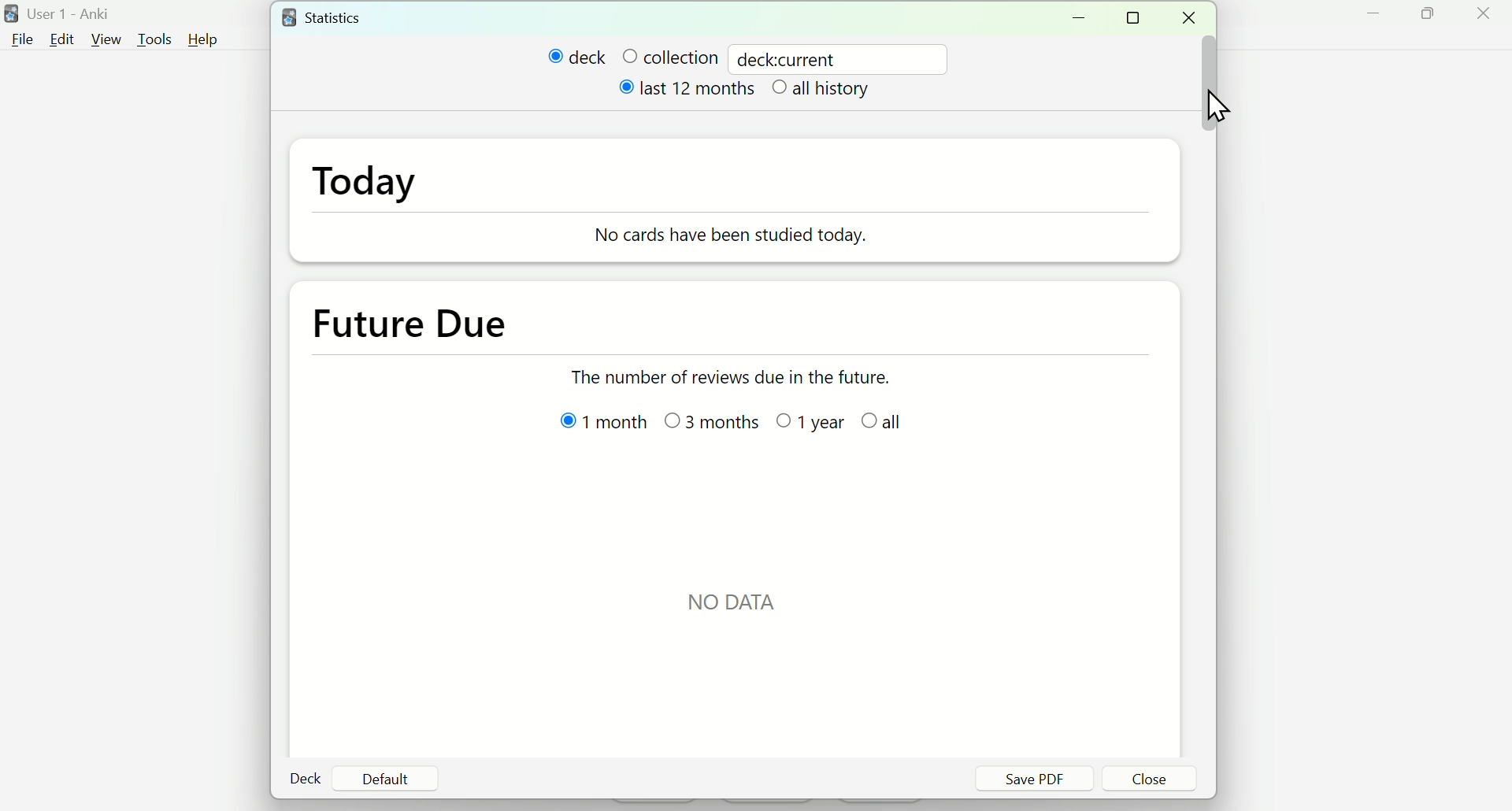 This screenshot has height=811, width=1512. What do you see at coordinates (1211, 84) in the screenshot?
I see `Vertical scrollbar` at bounding box center [1211, 84].